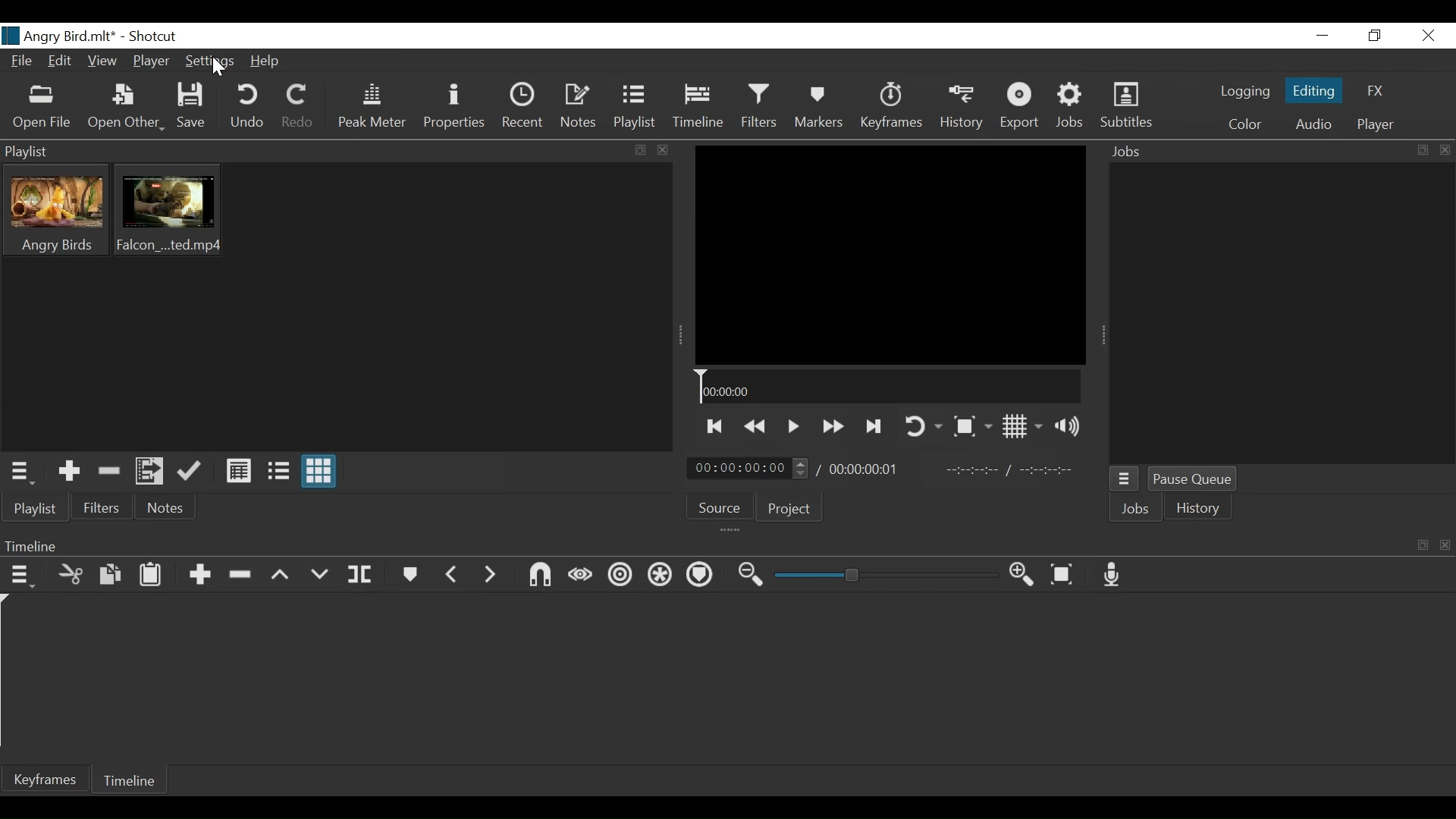 This screenshot has height=819, width=1456. I want to click on View as Files, so click(277, 469).